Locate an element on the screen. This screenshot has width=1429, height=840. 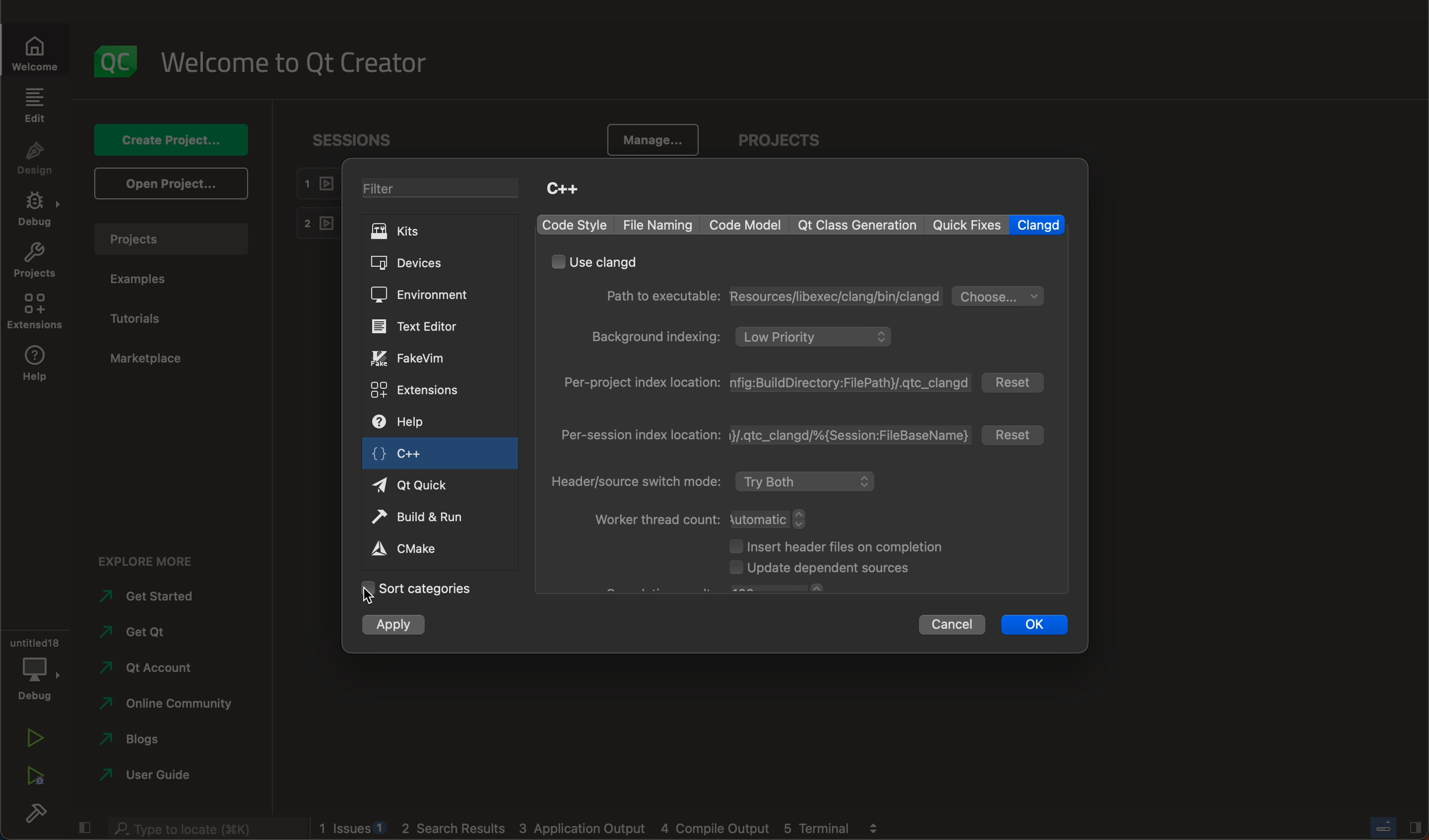
close slide bar is located at coordinates (82, 828).